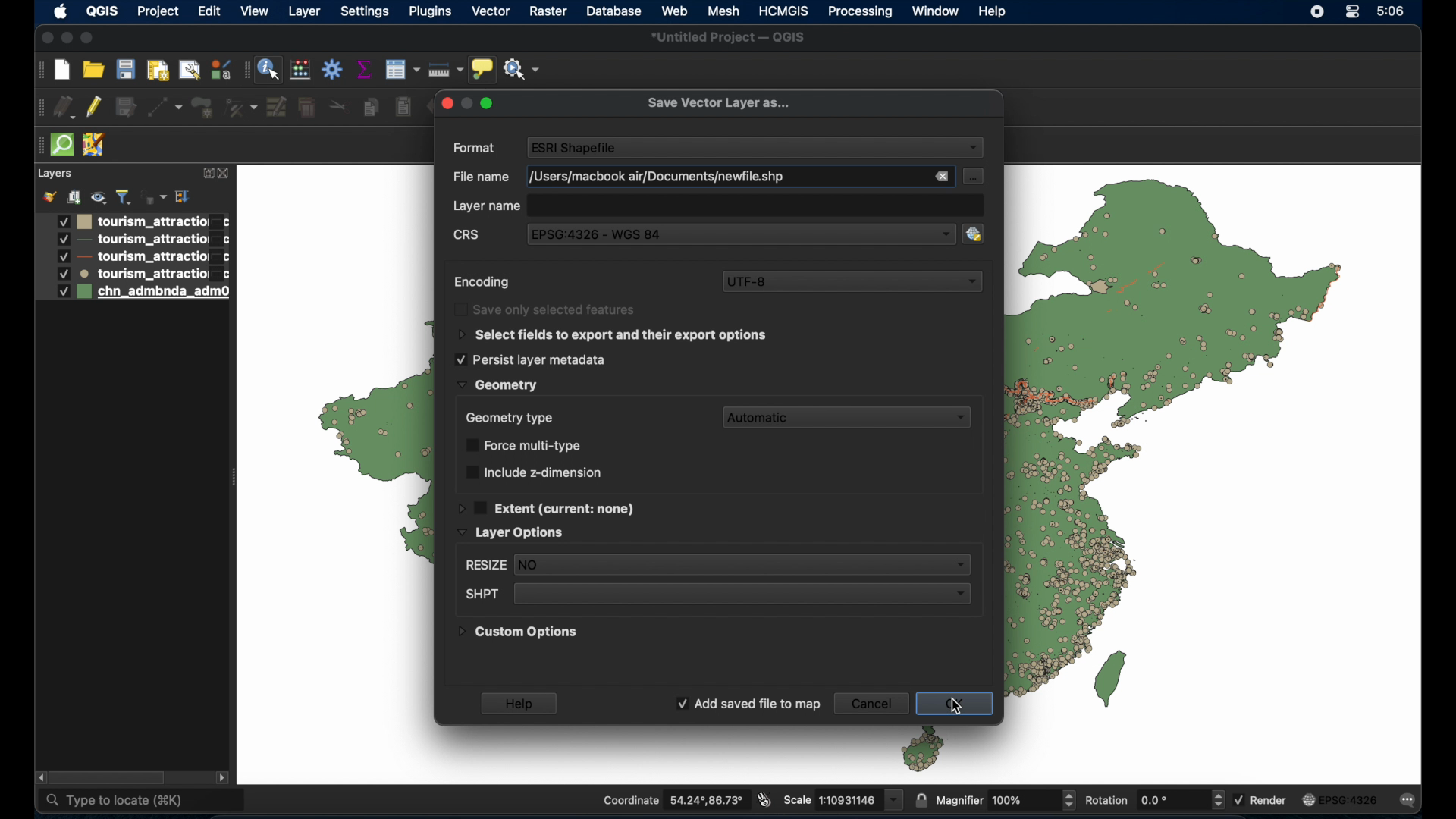 The image size is (1456, 819). Describe the element at coordinates (715, 595) in the screenshot. I see `shot dropdown ` at that location.